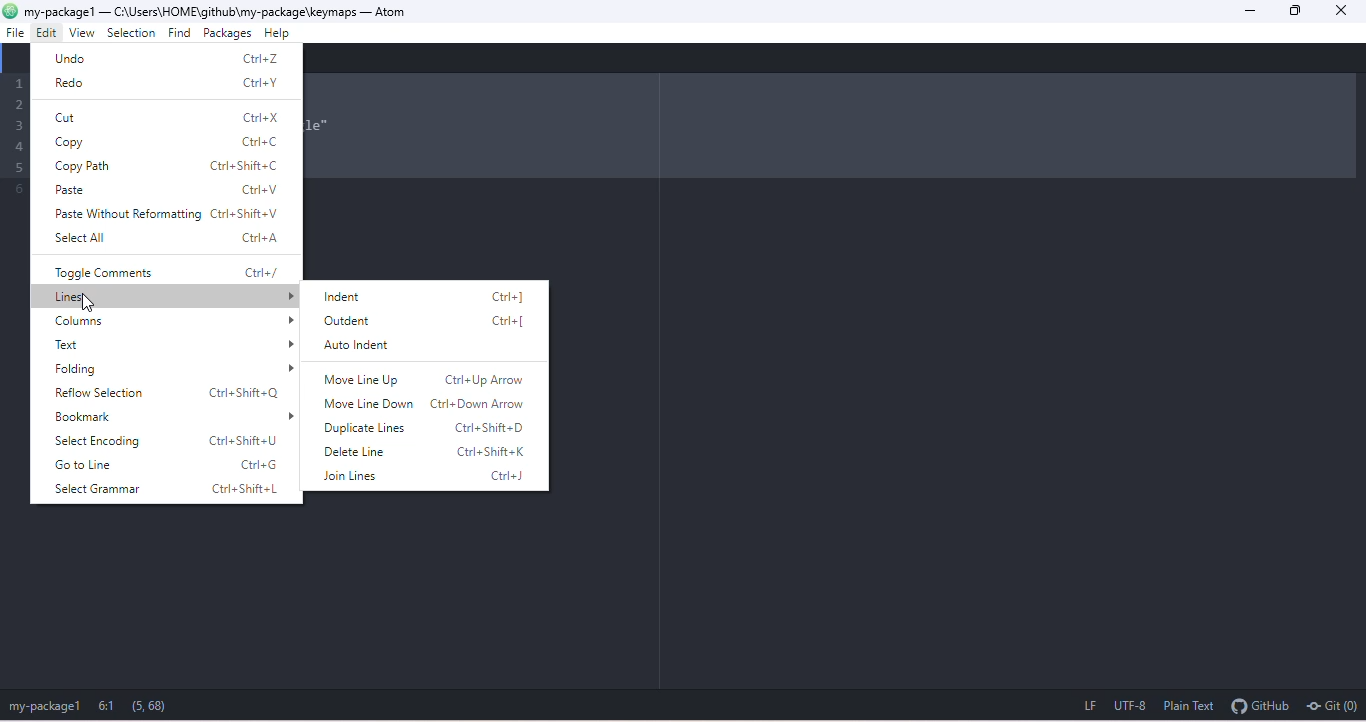  Describe the element at coordinates (1261, 708) in the screenshot. I see `git hub` at that location.